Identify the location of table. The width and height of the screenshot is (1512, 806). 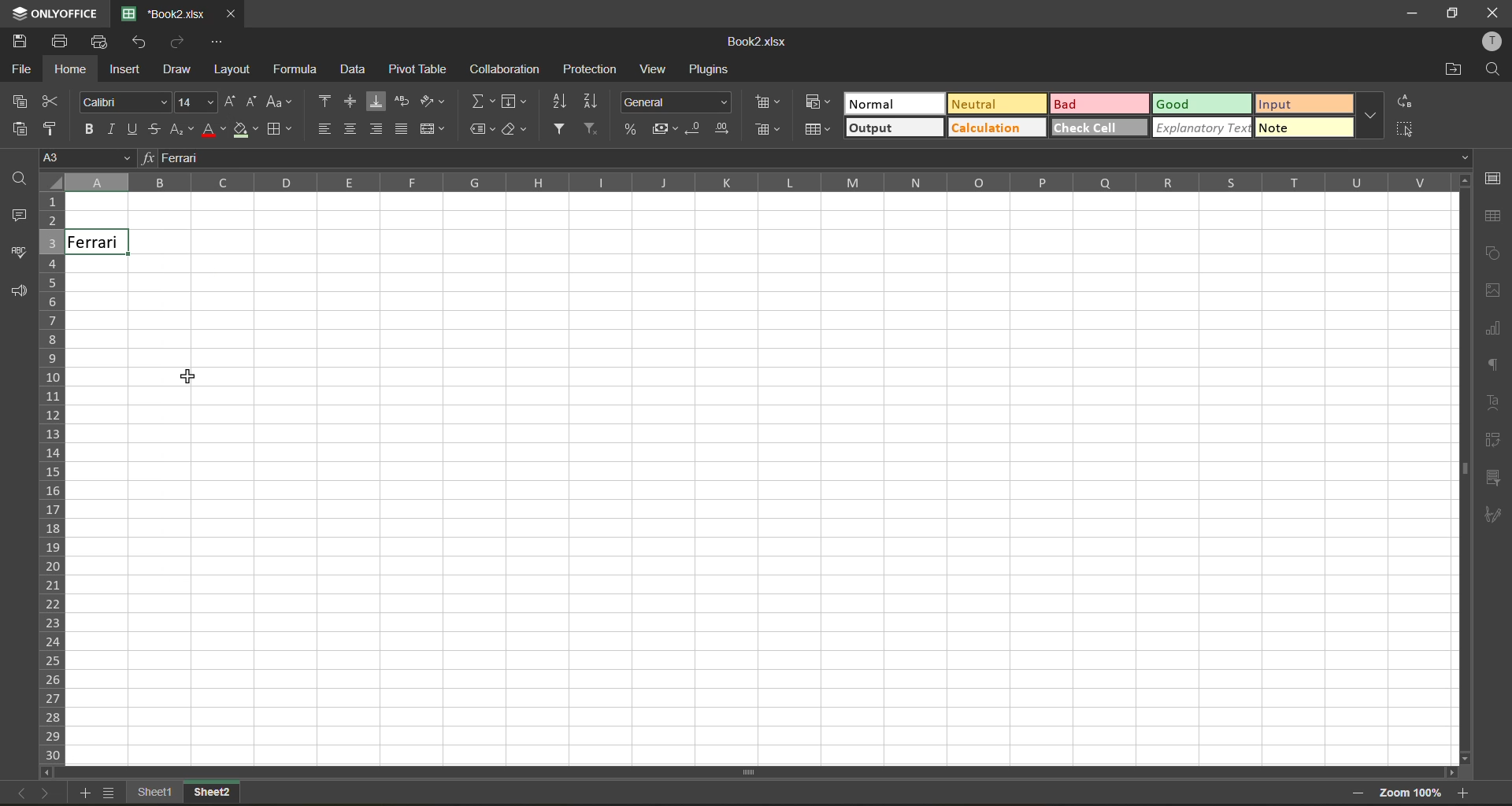
(1497, 214).